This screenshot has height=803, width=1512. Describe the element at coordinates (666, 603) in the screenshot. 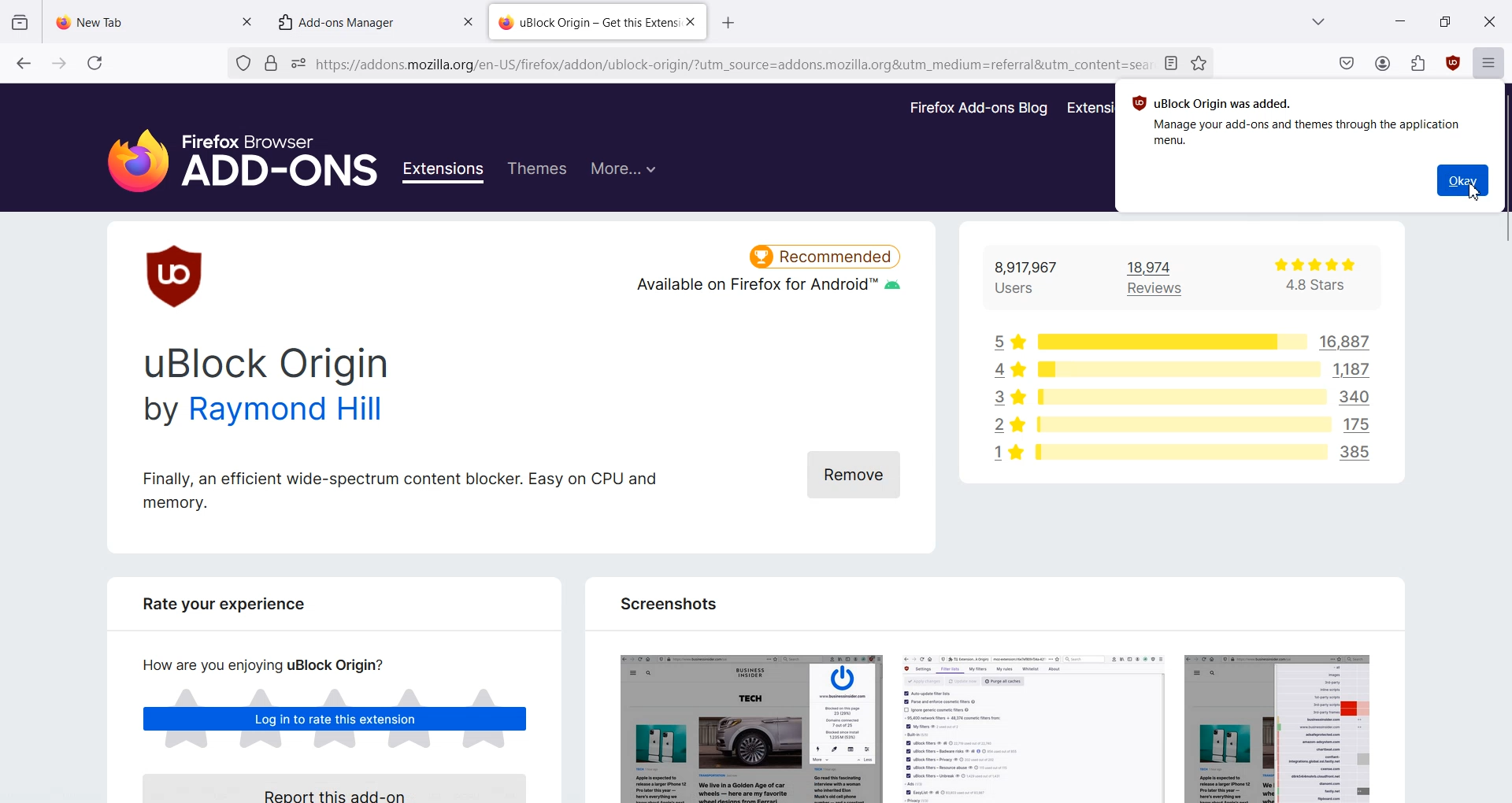

I see `Screenshots` at that location.